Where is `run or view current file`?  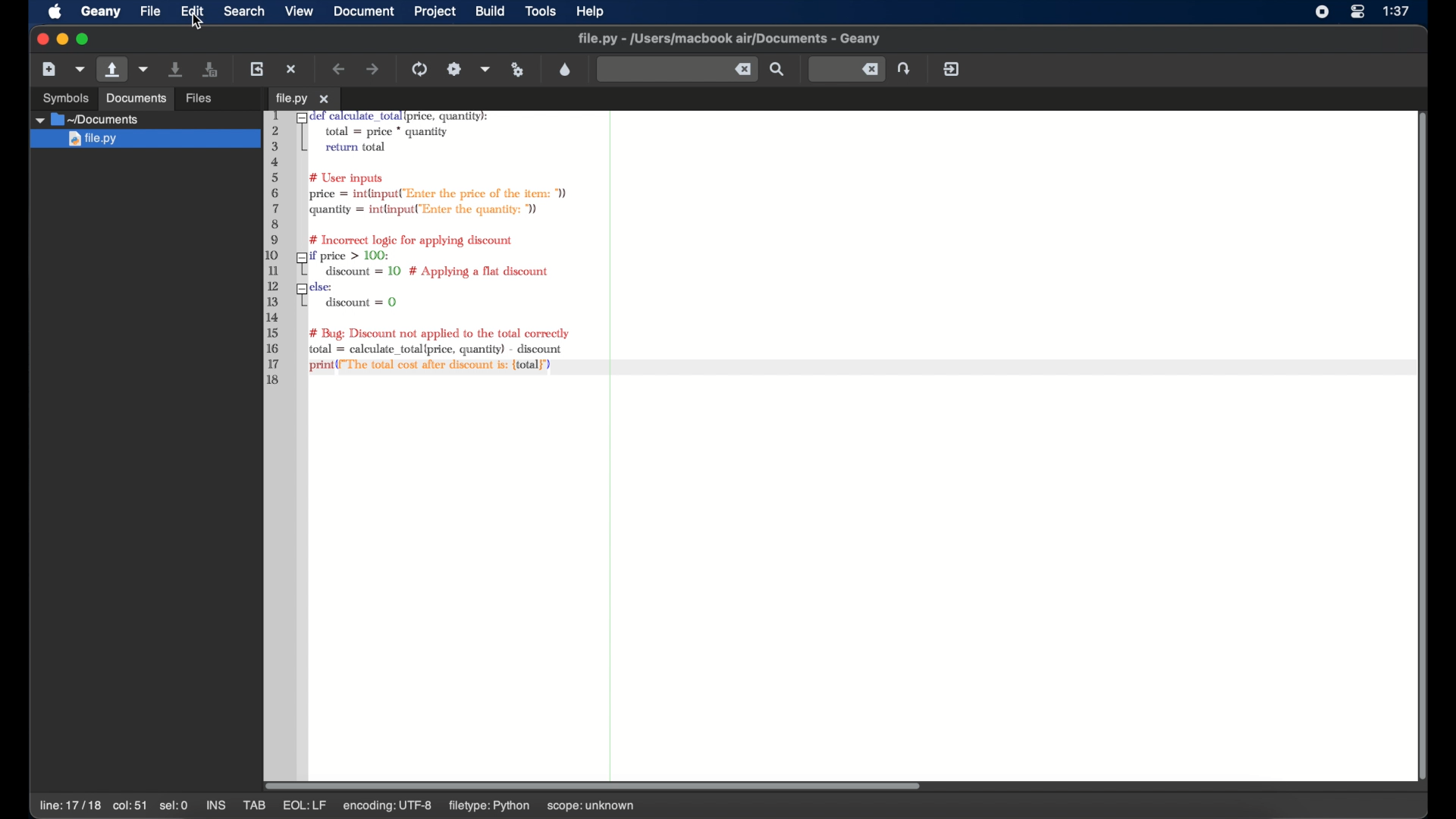
run or view current file is located at coordinates (519, 69).